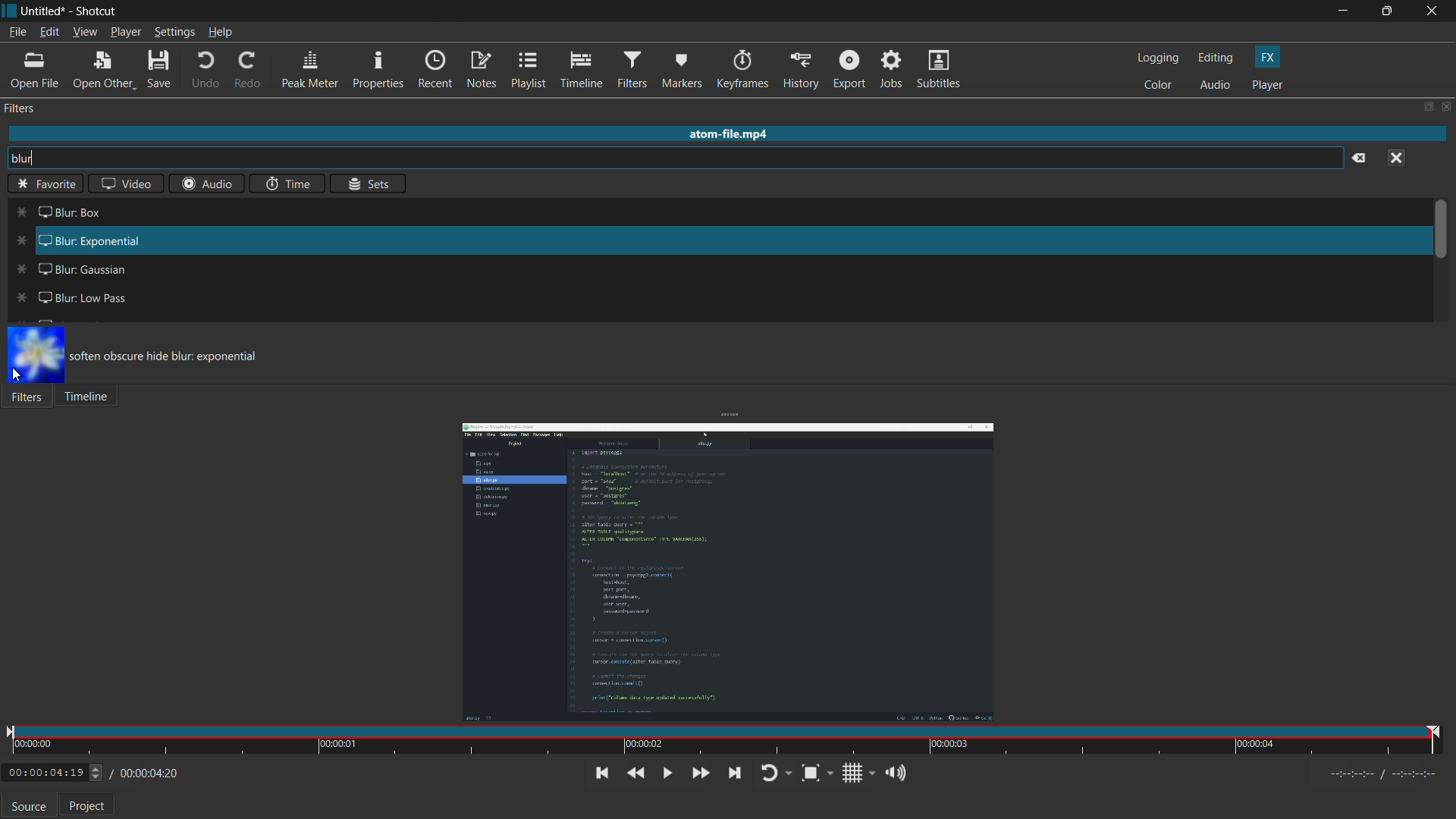 This screenshot has width=1456, height=819. I want to click on audio, so click(1216, 86).